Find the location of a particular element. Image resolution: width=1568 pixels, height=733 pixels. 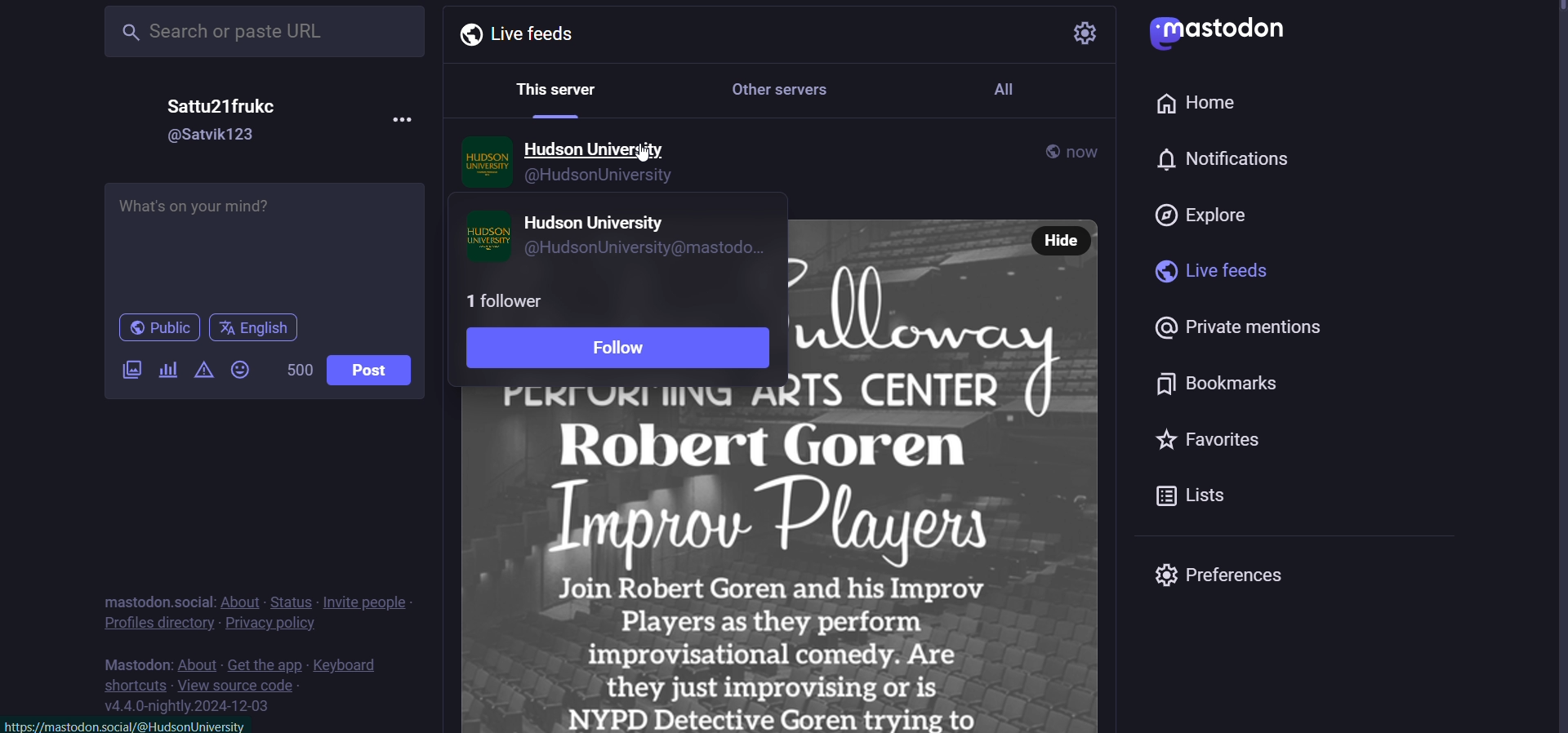

about is located at coordinates (198, 665).